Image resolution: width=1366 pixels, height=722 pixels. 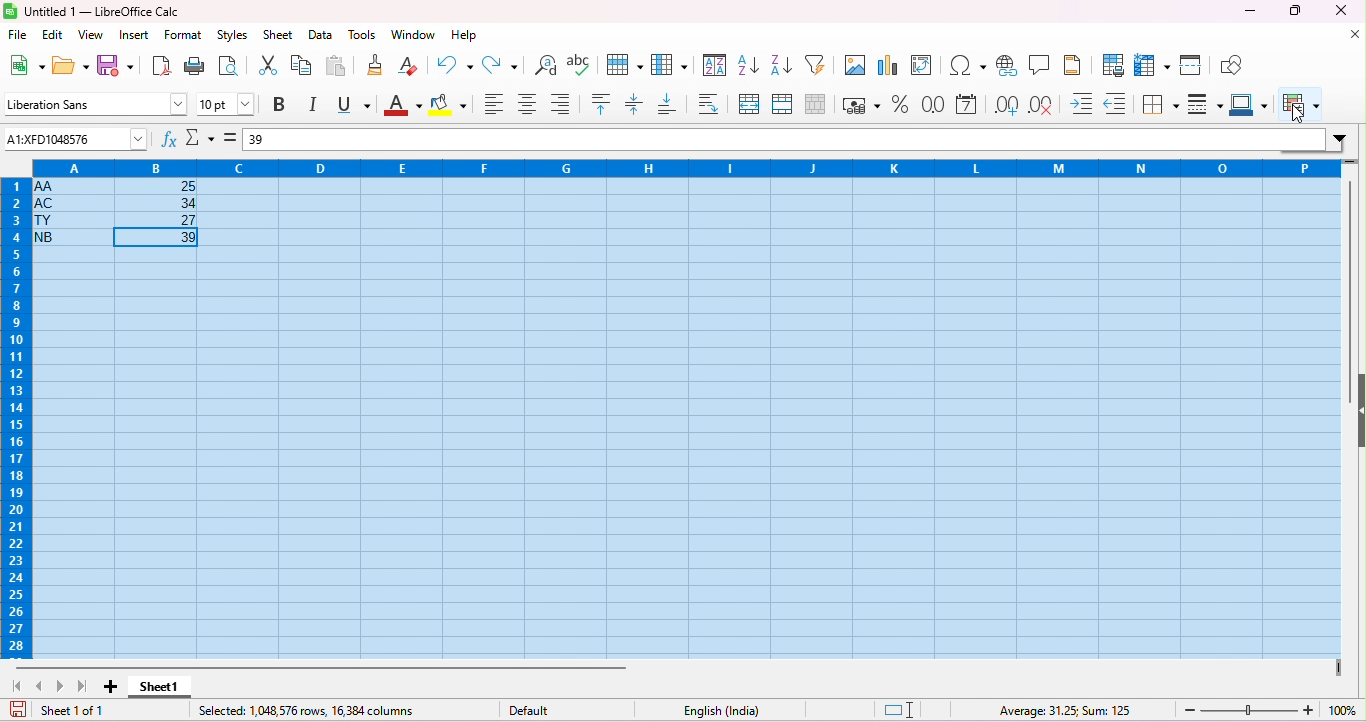 What do you see at coordinates (1205, 103) in the screenshot?
I see `border style` at bounding box center [1205, 103].